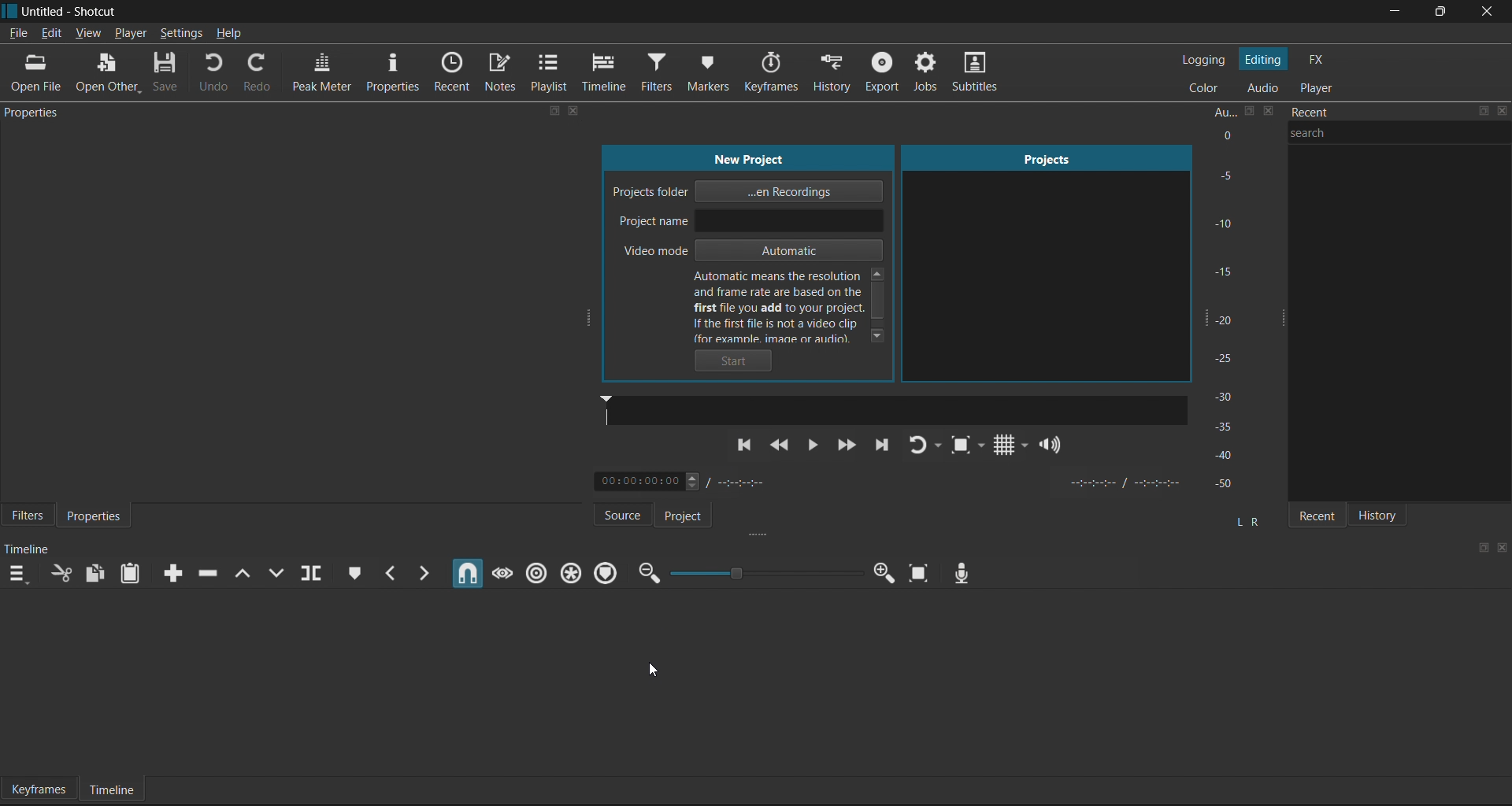  I want to click on Player, so click(1320, 87).